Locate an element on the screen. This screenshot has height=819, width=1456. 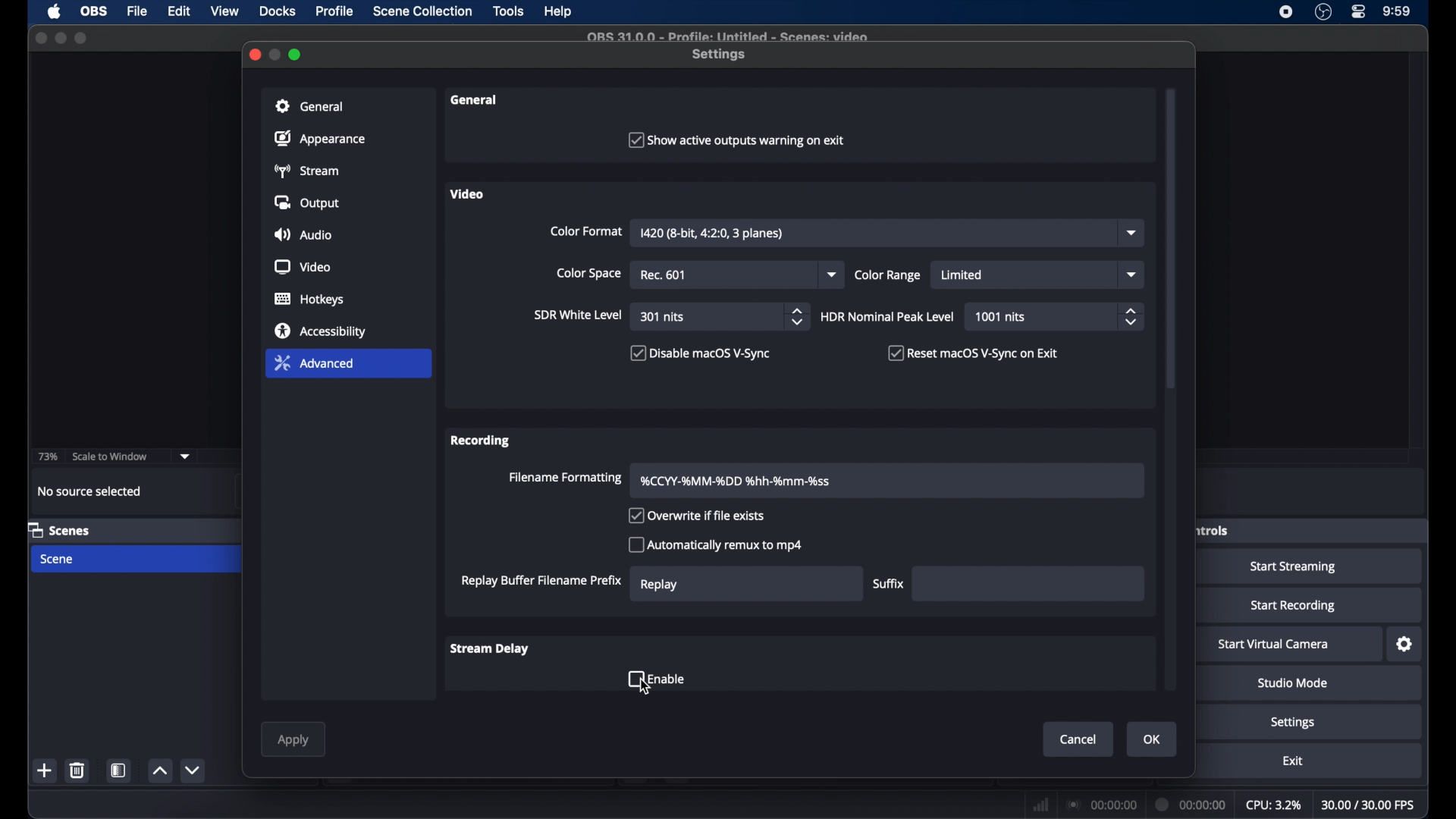
recording is located at coordinates (481, 442).